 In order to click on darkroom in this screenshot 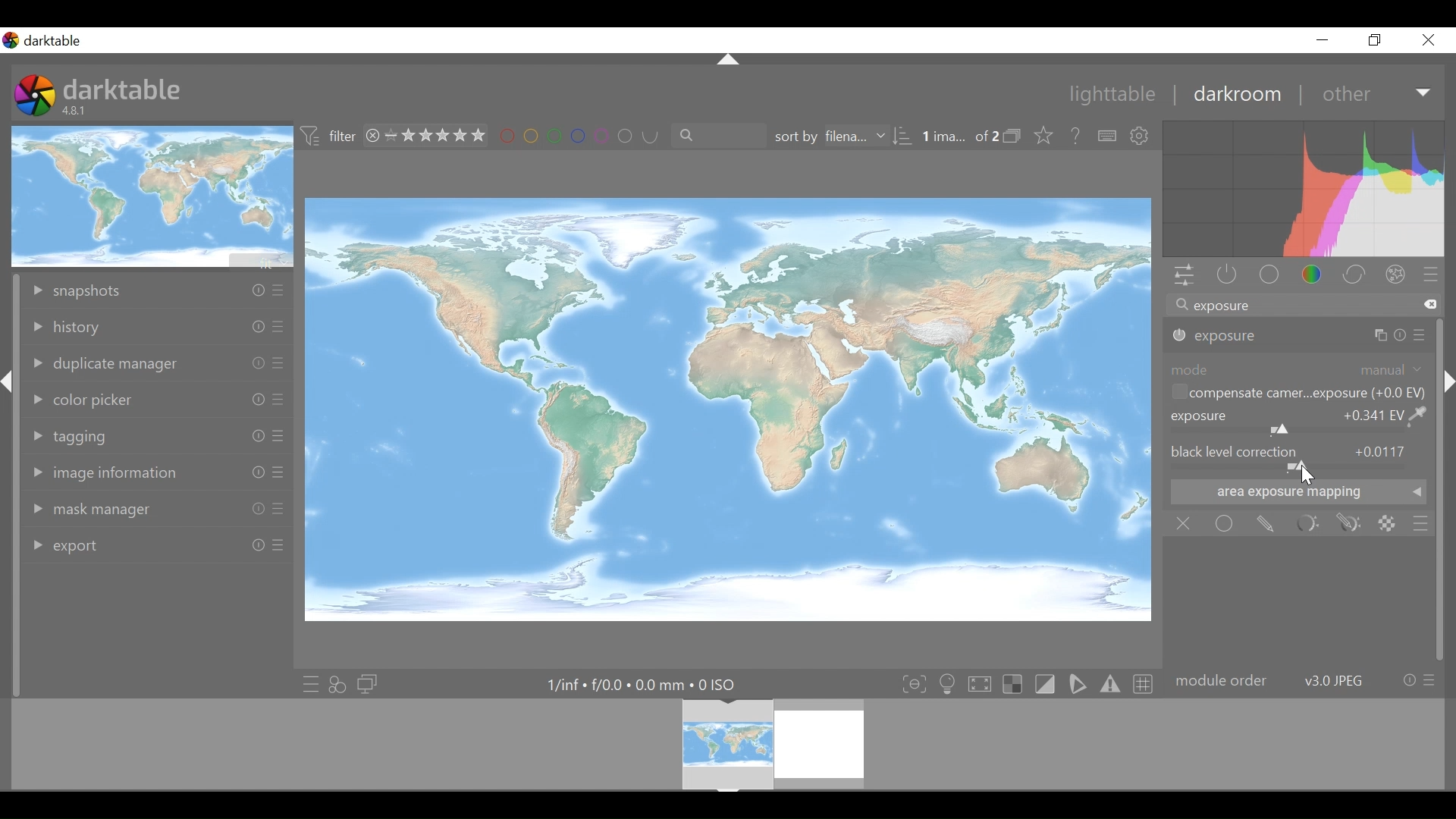, I will do `click(1235, 93)`.